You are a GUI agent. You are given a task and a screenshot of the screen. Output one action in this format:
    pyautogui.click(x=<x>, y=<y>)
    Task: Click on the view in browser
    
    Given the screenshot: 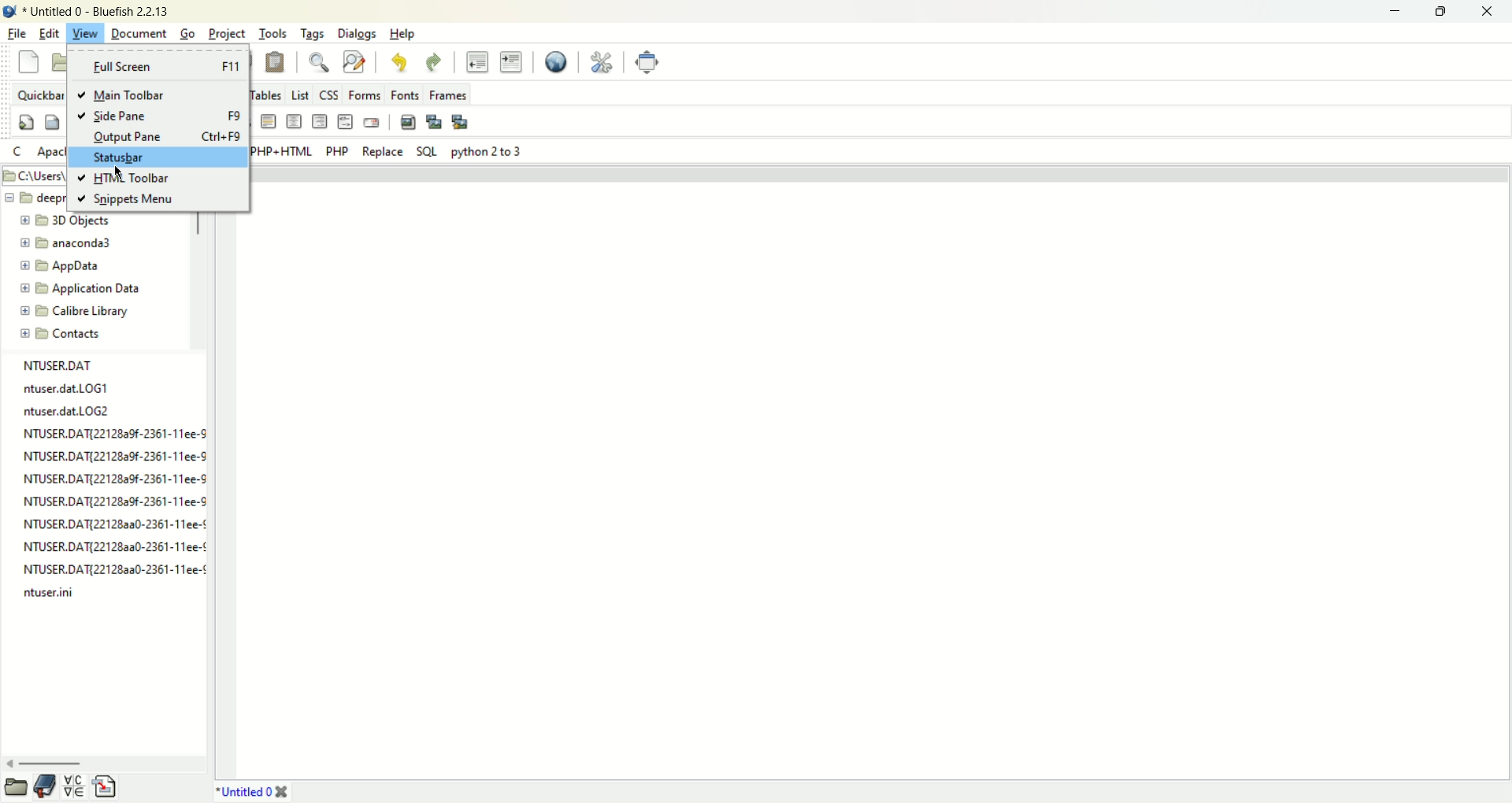 What is the action you would take?
    pyautogui.click(x=554, y=61)
    